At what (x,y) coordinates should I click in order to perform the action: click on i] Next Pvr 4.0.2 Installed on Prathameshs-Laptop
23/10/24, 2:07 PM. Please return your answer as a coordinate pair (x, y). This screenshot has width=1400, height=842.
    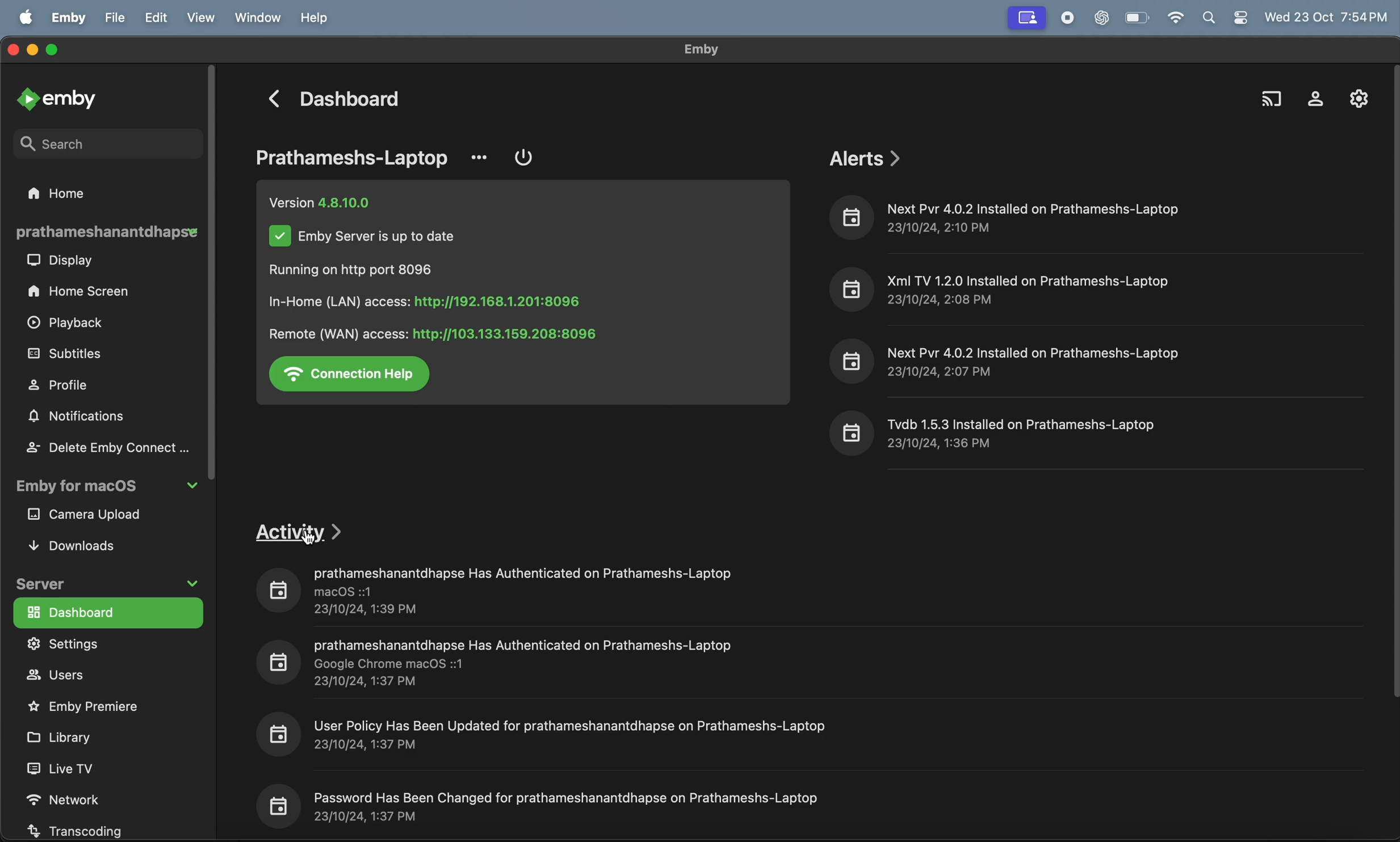
    Looking at the image, I should click on (1006, 361).